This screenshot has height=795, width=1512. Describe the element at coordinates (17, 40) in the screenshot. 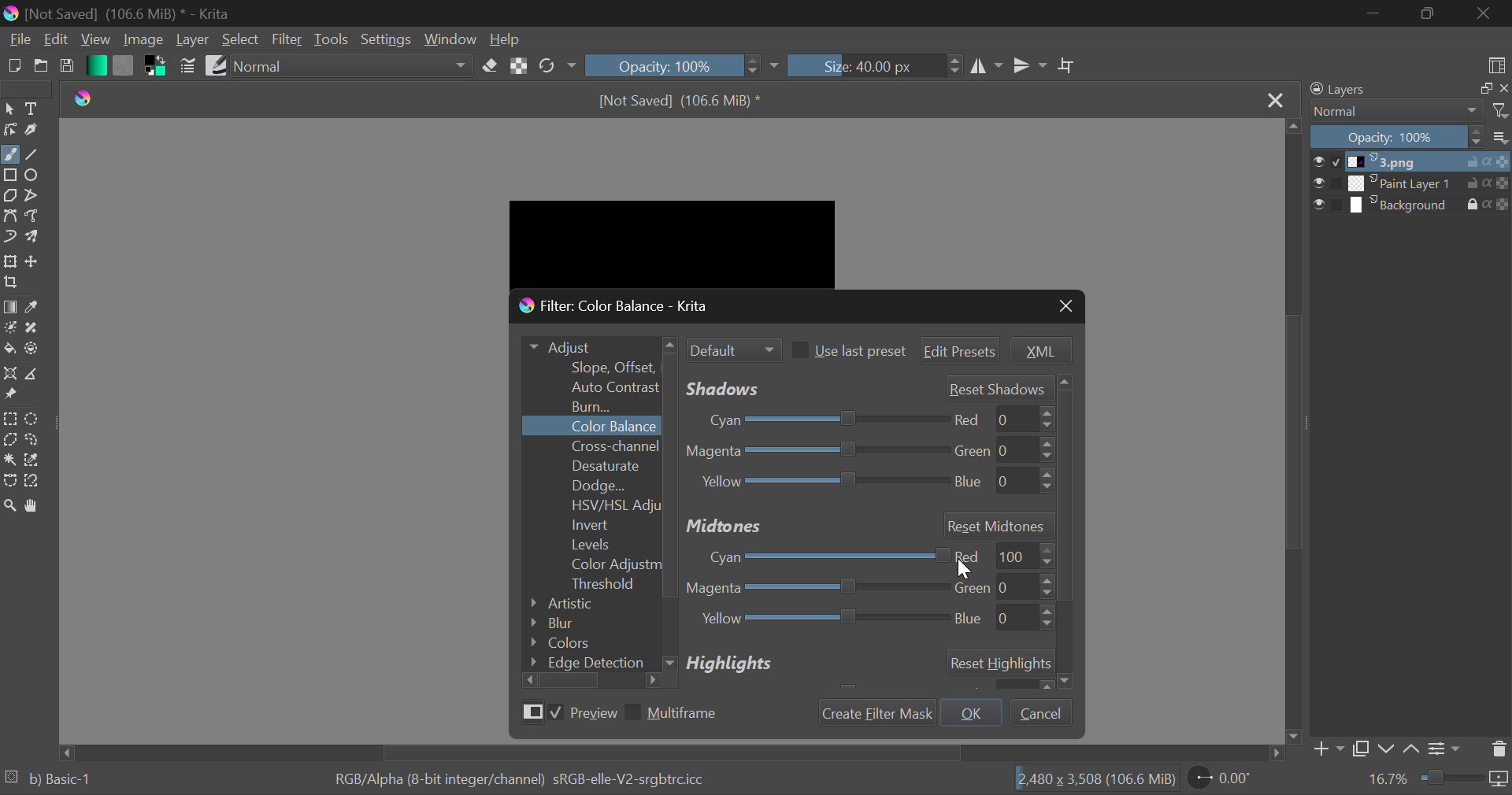

I see `File` at that location.